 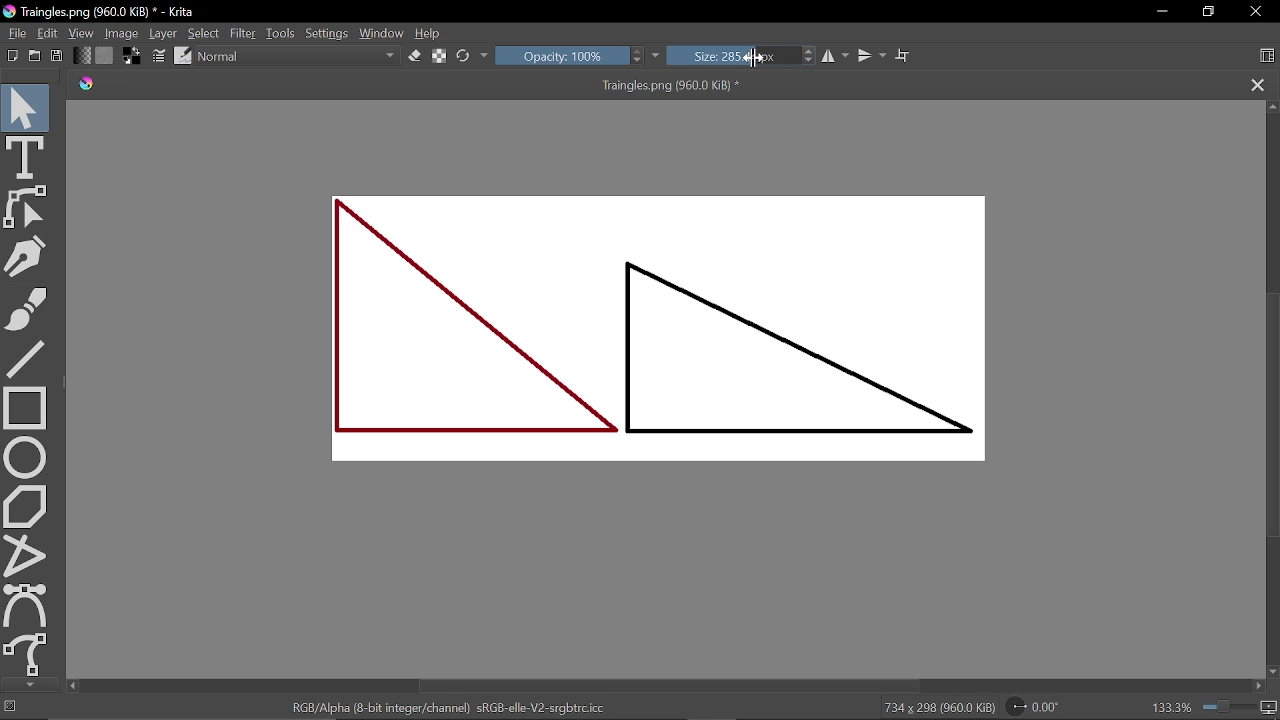 What do you see at coordinates (437, 57) in the screenshot?
I see `preserve alpha` at bounding box center [437, 57].